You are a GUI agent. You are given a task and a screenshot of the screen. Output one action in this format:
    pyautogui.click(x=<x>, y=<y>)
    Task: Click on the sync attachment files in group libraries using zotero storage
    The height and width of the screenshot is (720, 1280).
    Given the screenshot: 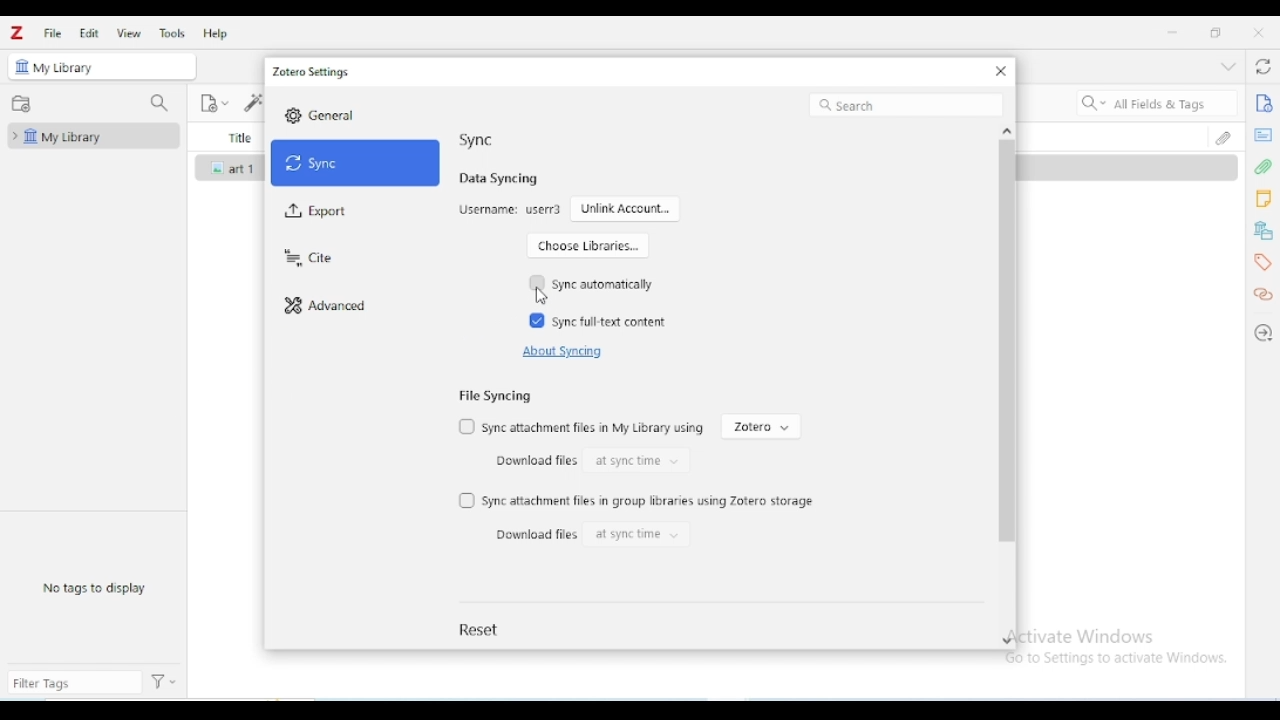 What is the action you would take?
    pyautogui.click(x=650, y=501)
    